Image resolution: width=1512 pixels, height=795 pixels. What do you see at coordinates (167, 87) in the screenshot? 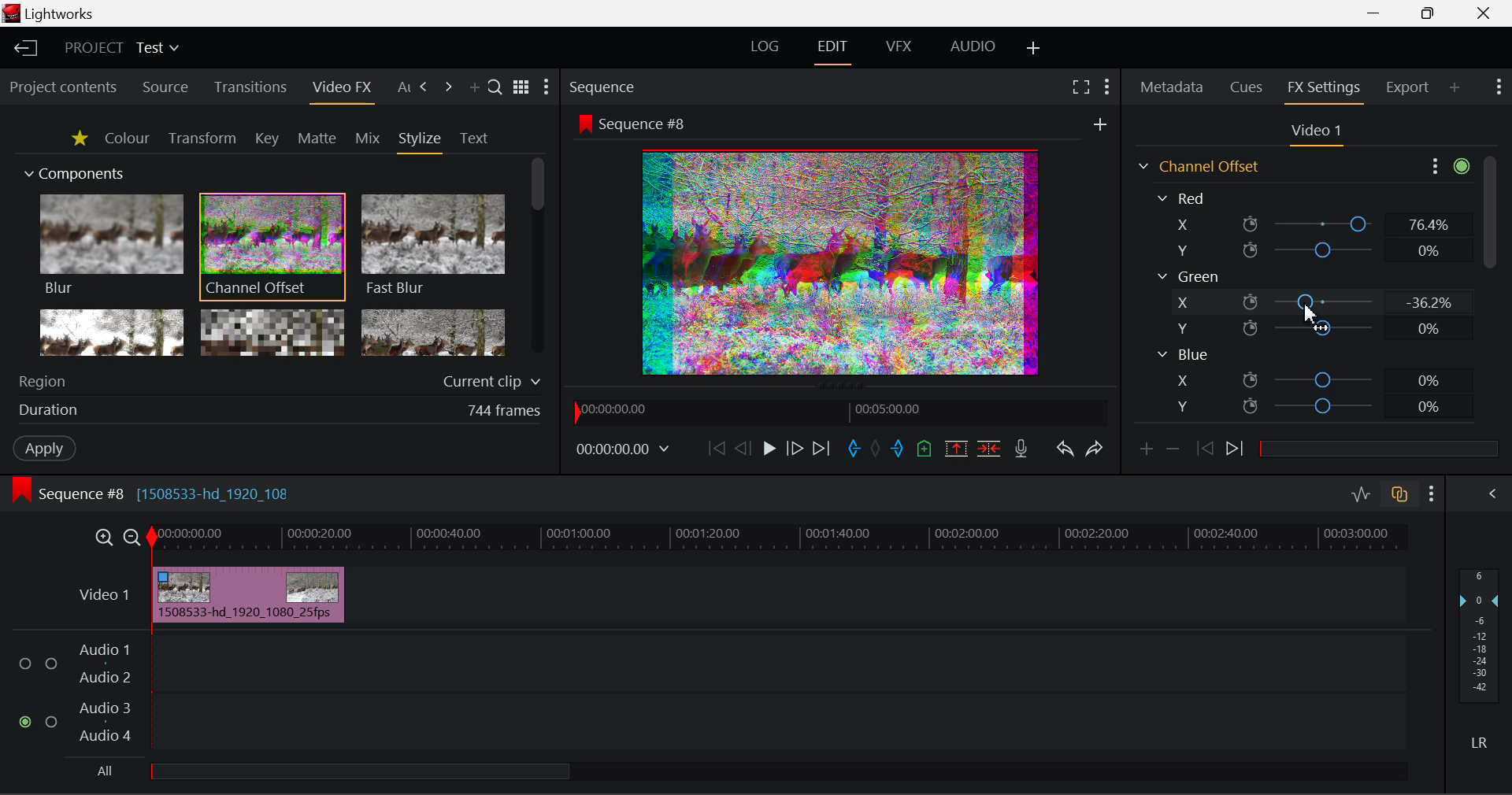
I see `Source` at bounding box center [167, 87].